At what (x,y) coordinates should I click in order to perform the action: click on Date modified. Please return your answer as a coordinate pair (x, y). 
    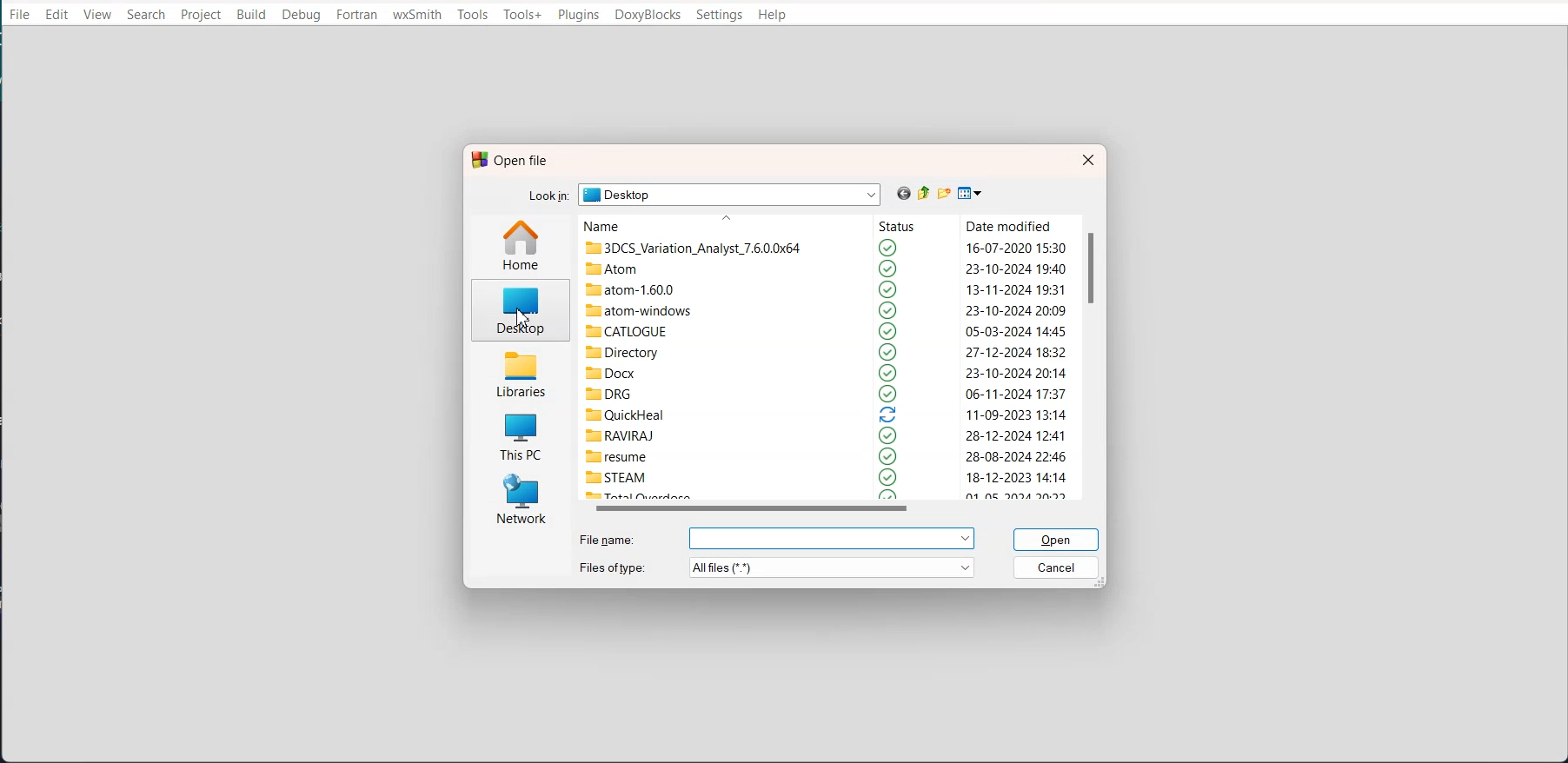
    Looking at the image, I should click on (1011, 224).